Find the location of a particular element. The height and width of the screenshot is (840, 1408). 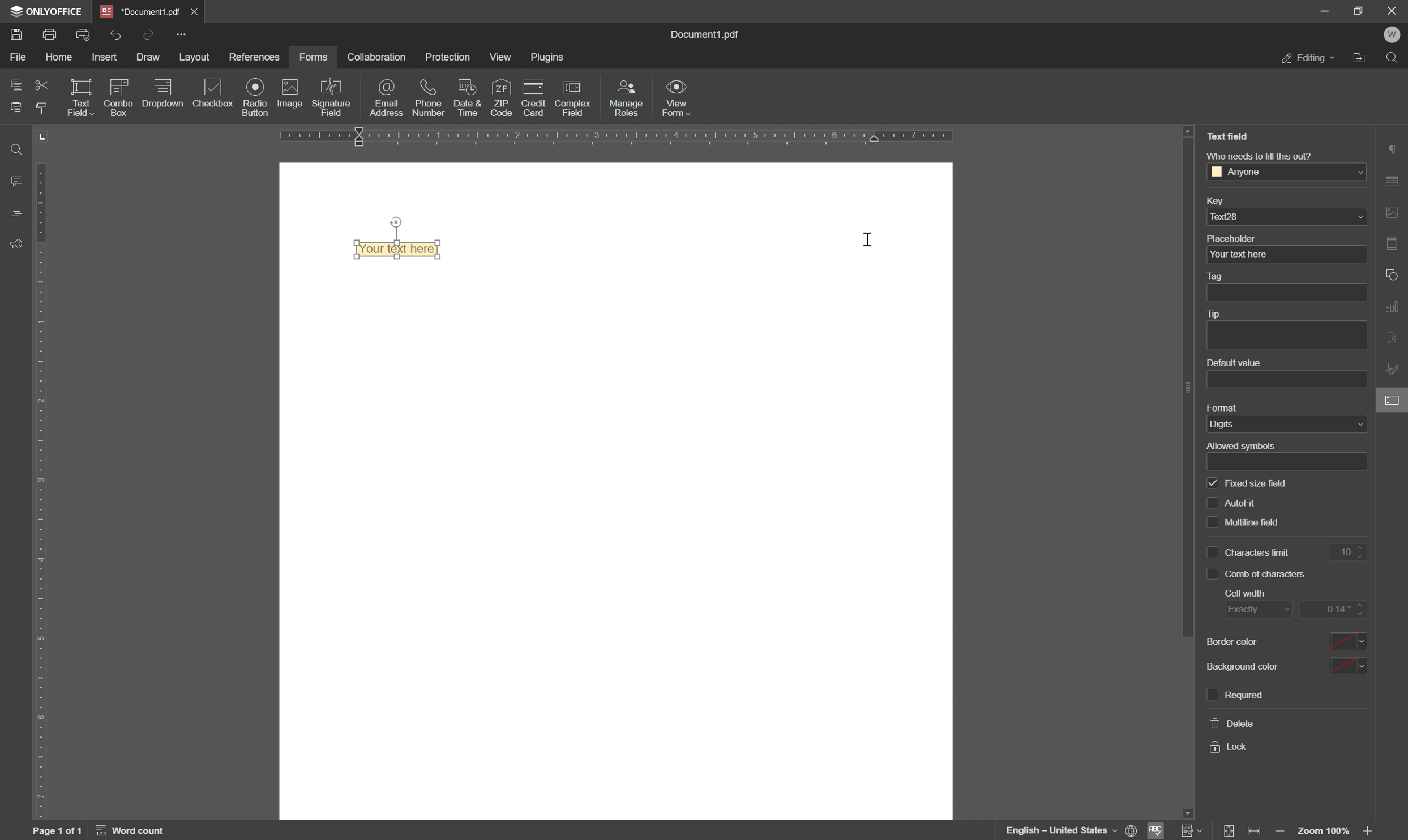

headings is located at coordinates (12, 213).